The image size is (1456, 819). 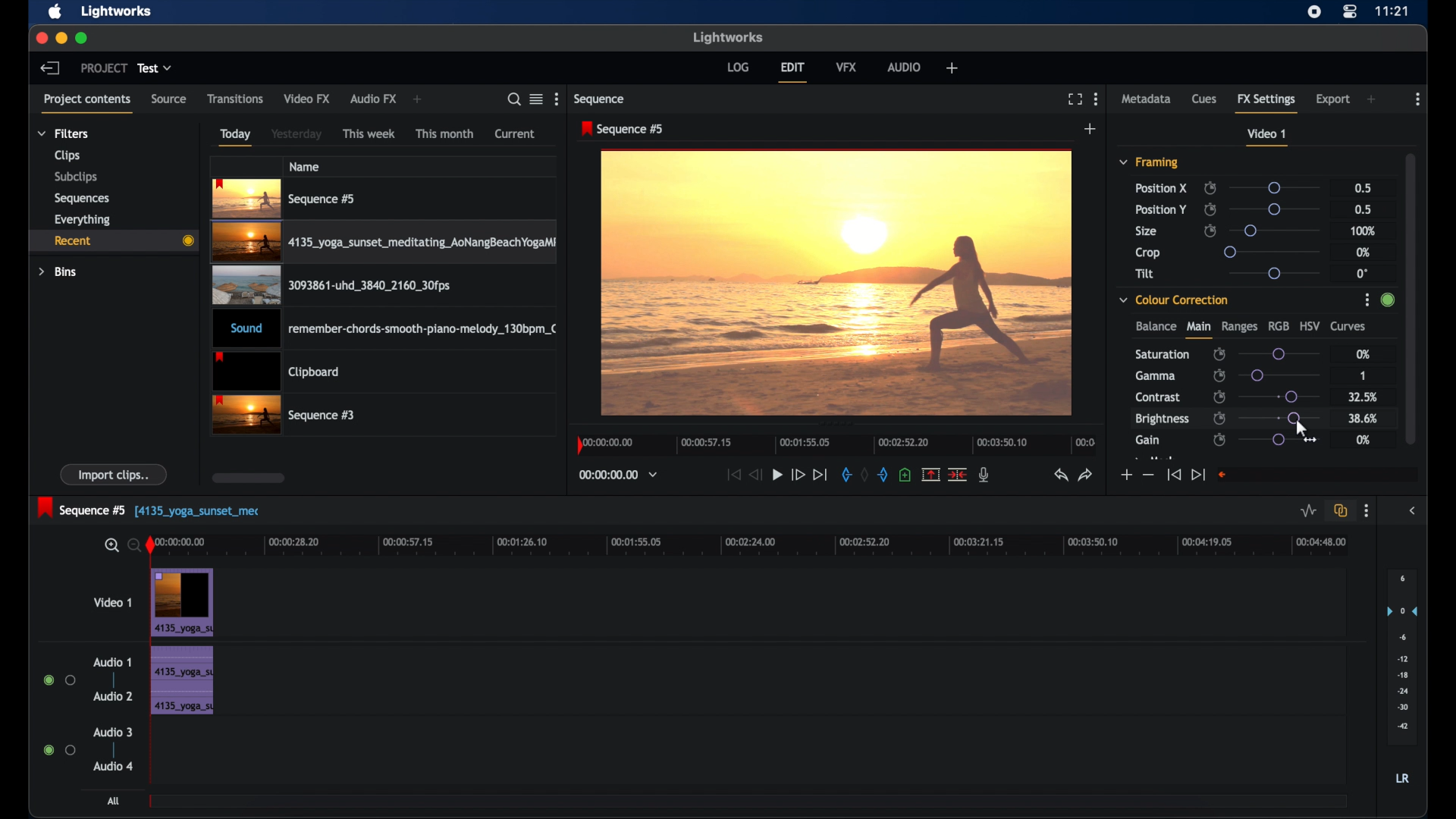 I want to click on toggle list or tile view, so click(x=536, y=99).